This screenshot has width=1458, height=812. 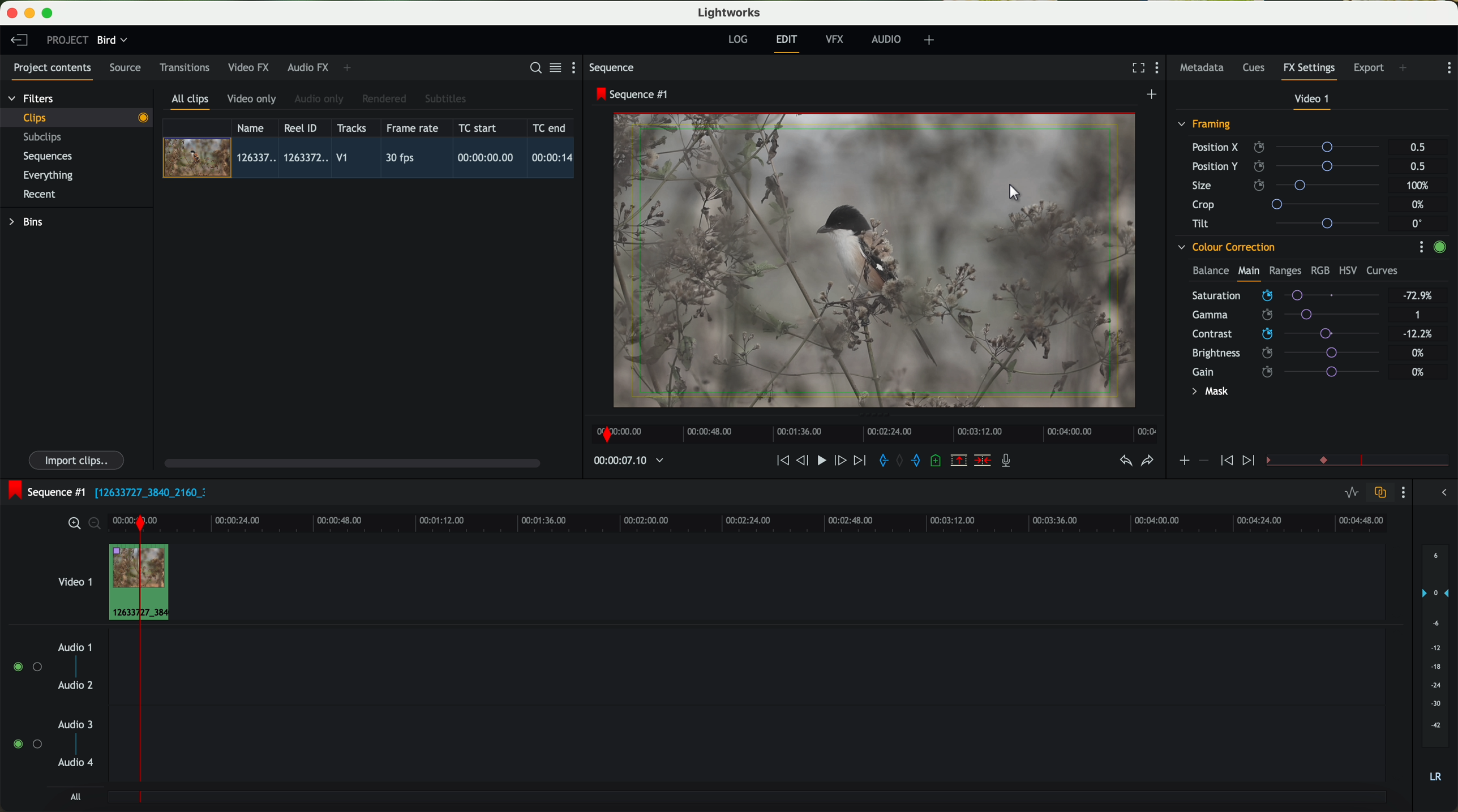 I want to click on click on stop, so click(x=824, y=463).